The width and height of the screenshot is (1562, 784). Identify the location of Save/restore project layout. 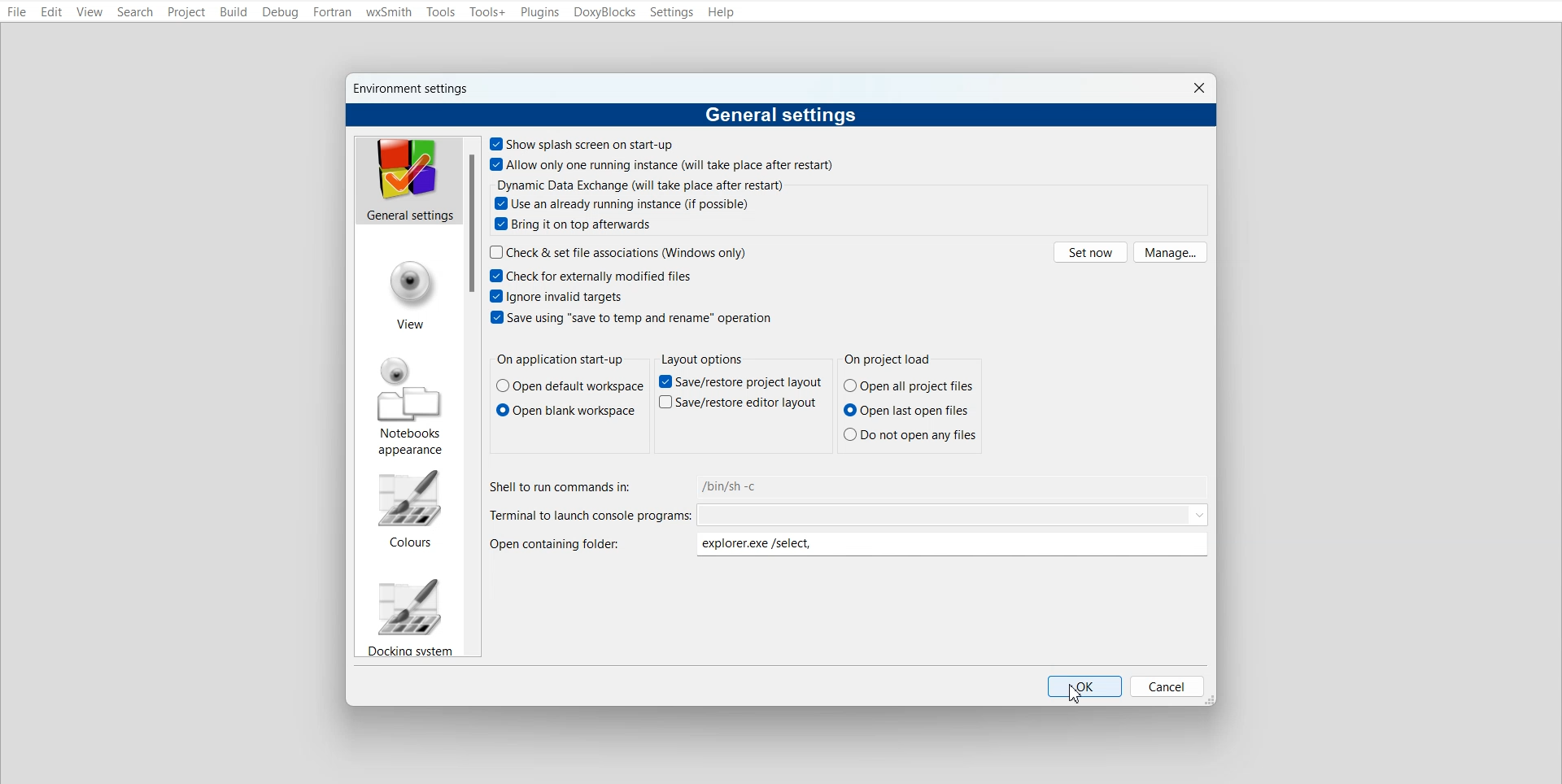
(740, 381).